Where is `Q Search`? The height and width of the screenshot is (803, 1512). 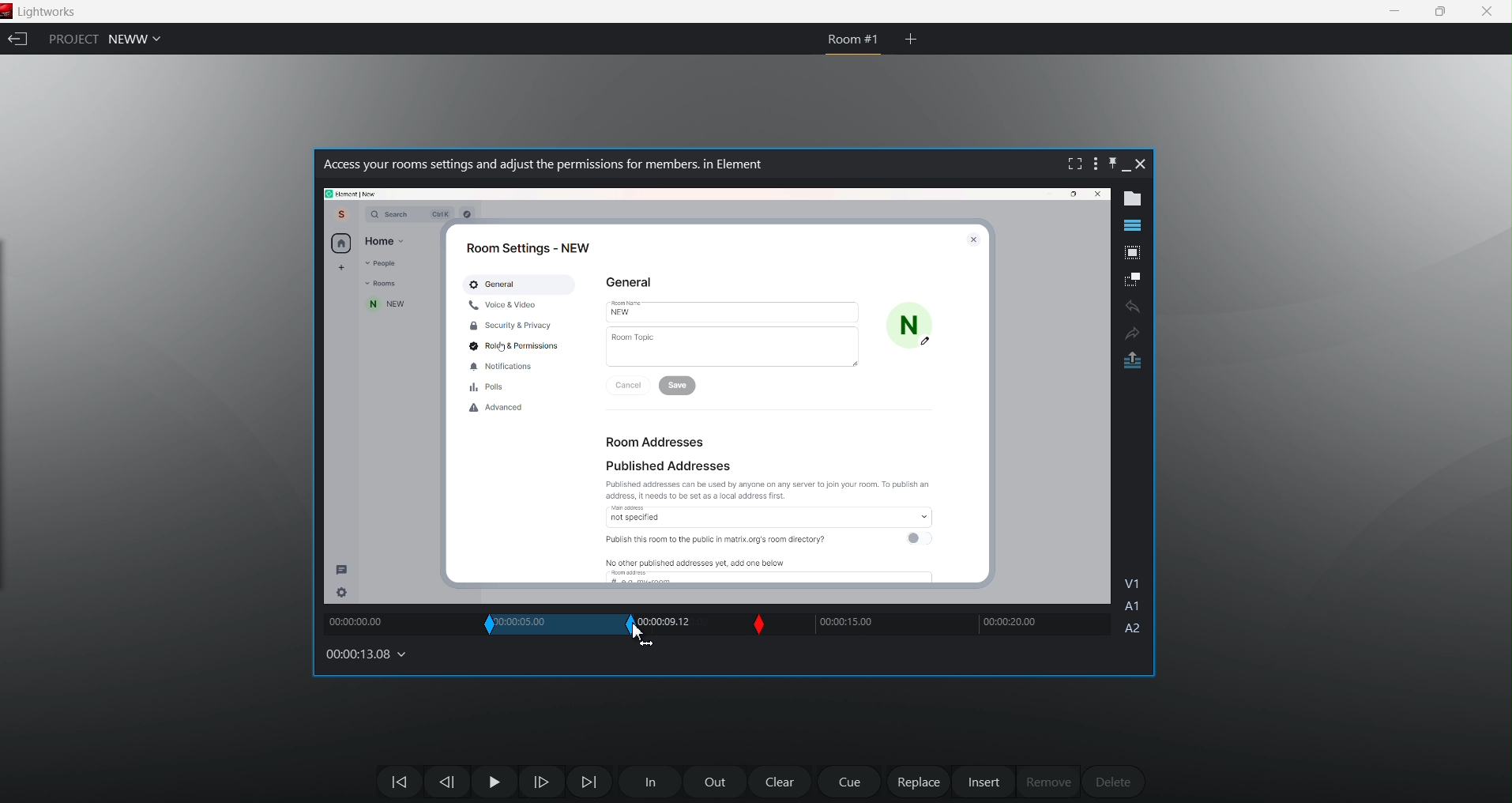 Q Search is located at coordinates (386, 214).